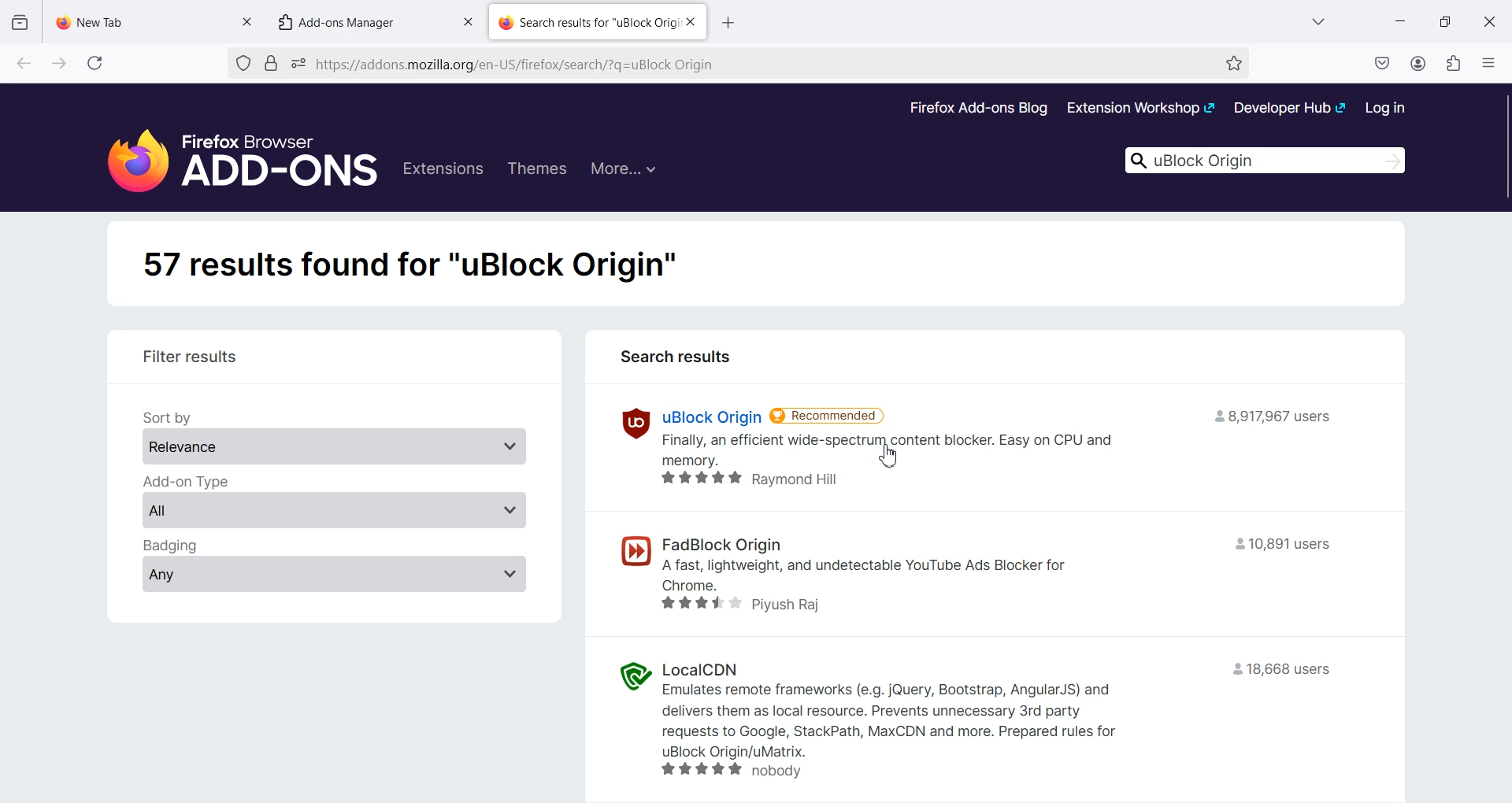 This screenshot has height=803, width=1512. Describe the element at coordinates (1490, 59) in the screenshot. I see `Open Application Menu` at that location.